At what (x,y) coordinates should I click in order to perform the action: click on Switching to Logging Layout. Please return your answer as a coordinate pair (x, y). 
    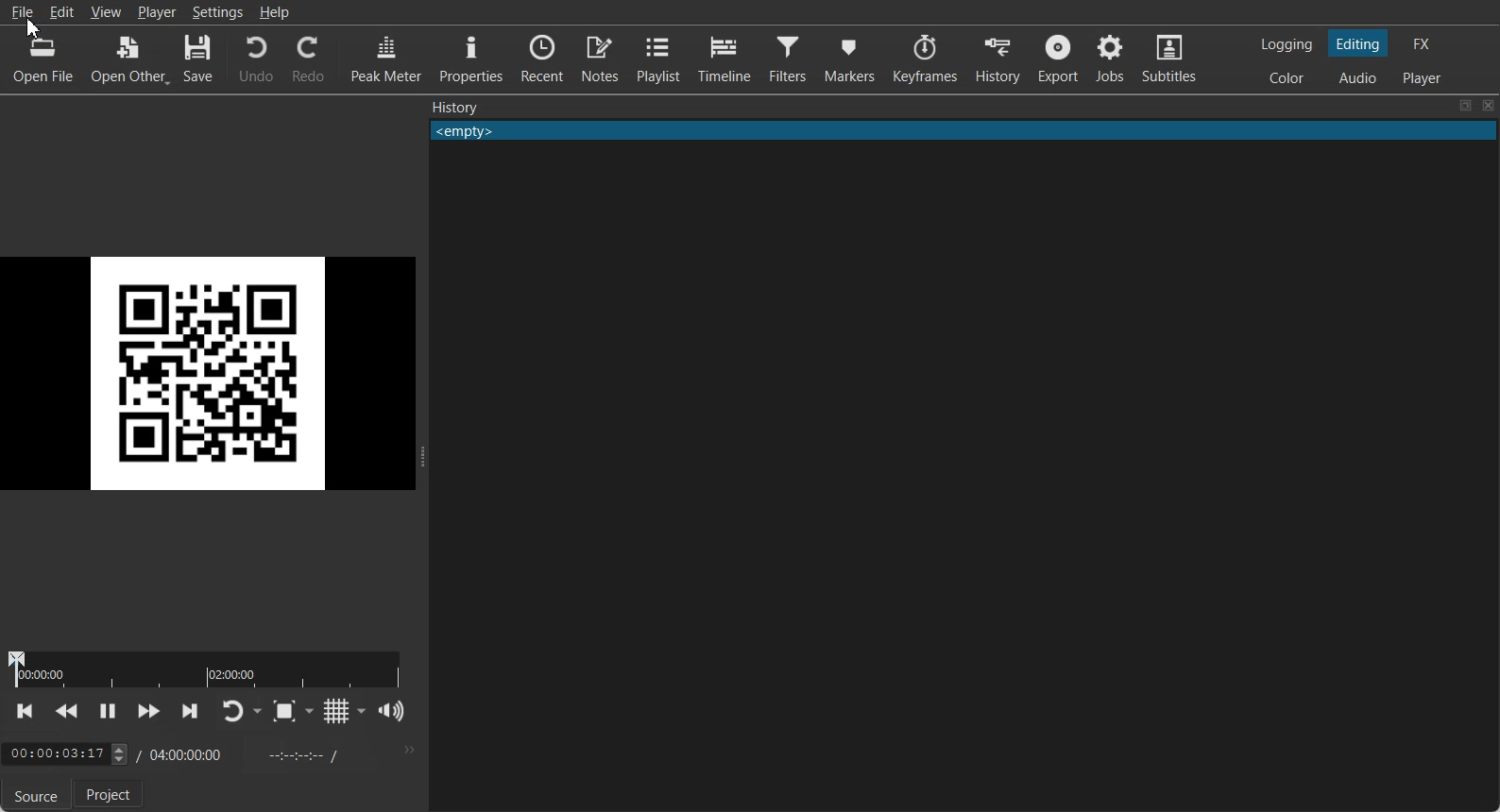
    Looking at the image, I should click on (1286, 44).